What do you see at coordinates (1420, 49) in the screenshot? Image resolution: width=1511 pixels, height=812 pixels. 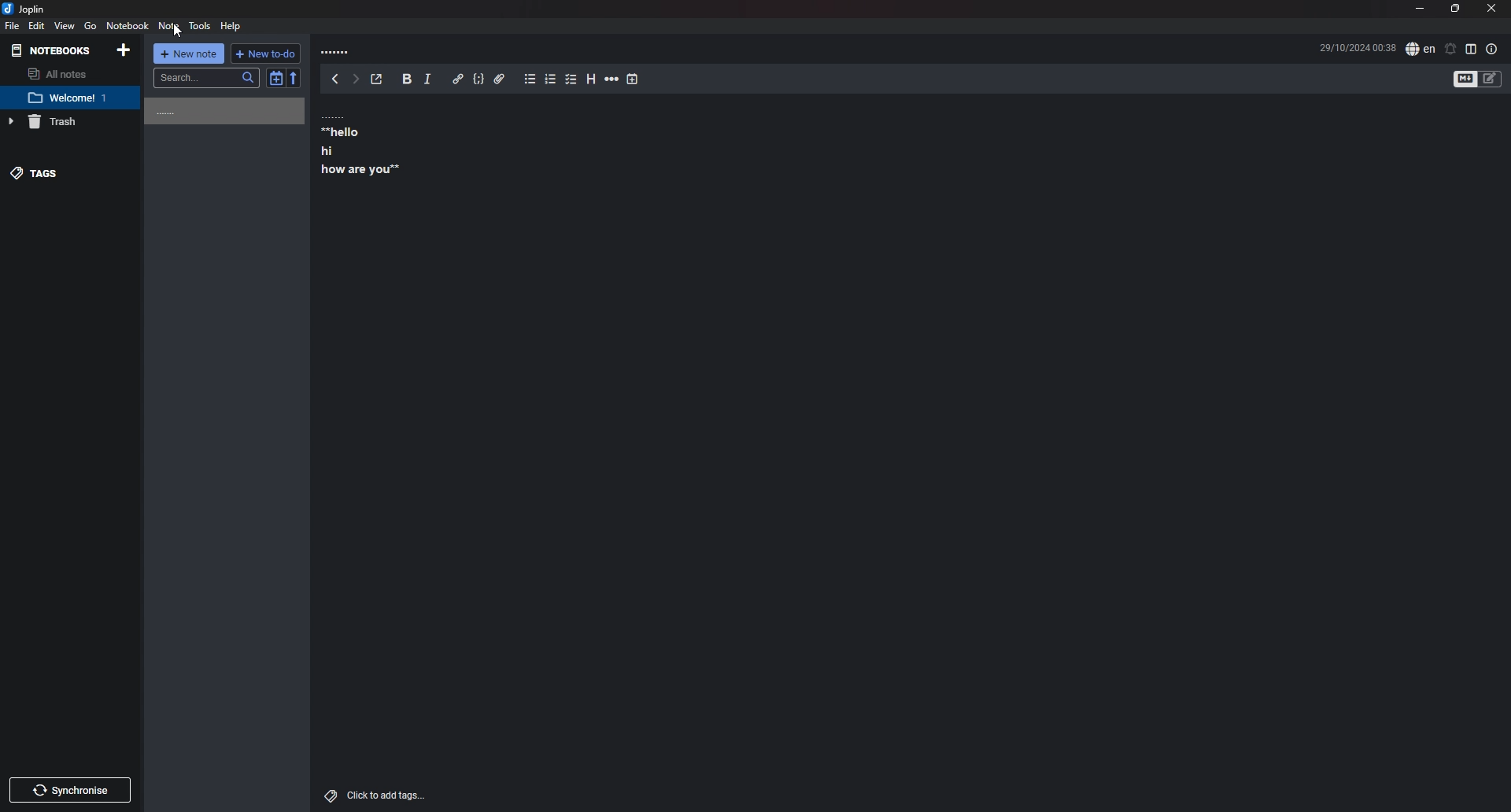 I see `Set language` at bounding box center [1420, 49].